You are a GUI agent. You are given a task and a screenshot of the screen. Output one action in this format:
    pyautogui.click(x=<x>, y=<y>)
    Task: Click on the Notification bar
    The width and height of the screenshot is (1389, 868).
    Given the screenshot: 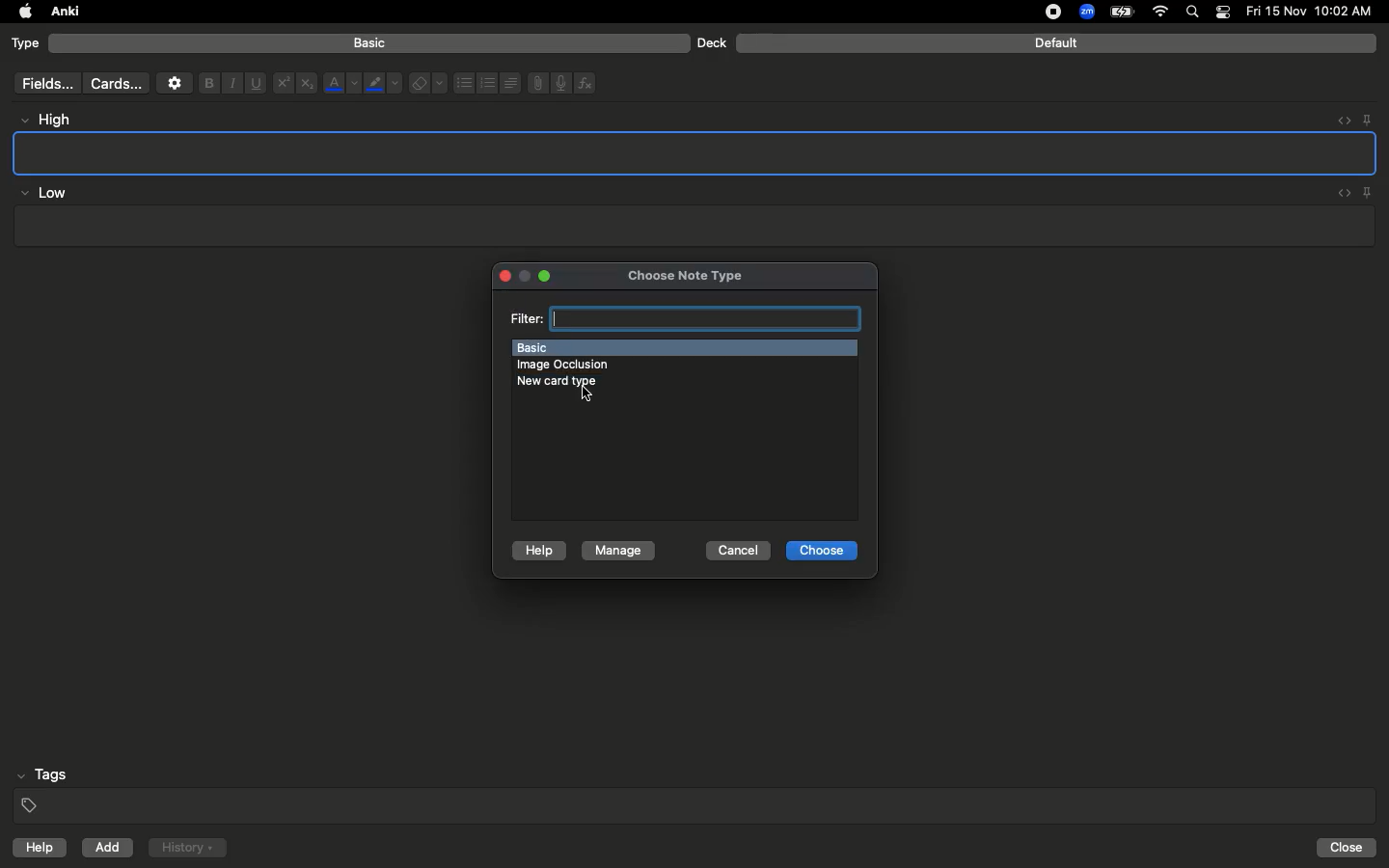 What is the action you would take?
    pyautogui.click(x=1223, y=13)
    